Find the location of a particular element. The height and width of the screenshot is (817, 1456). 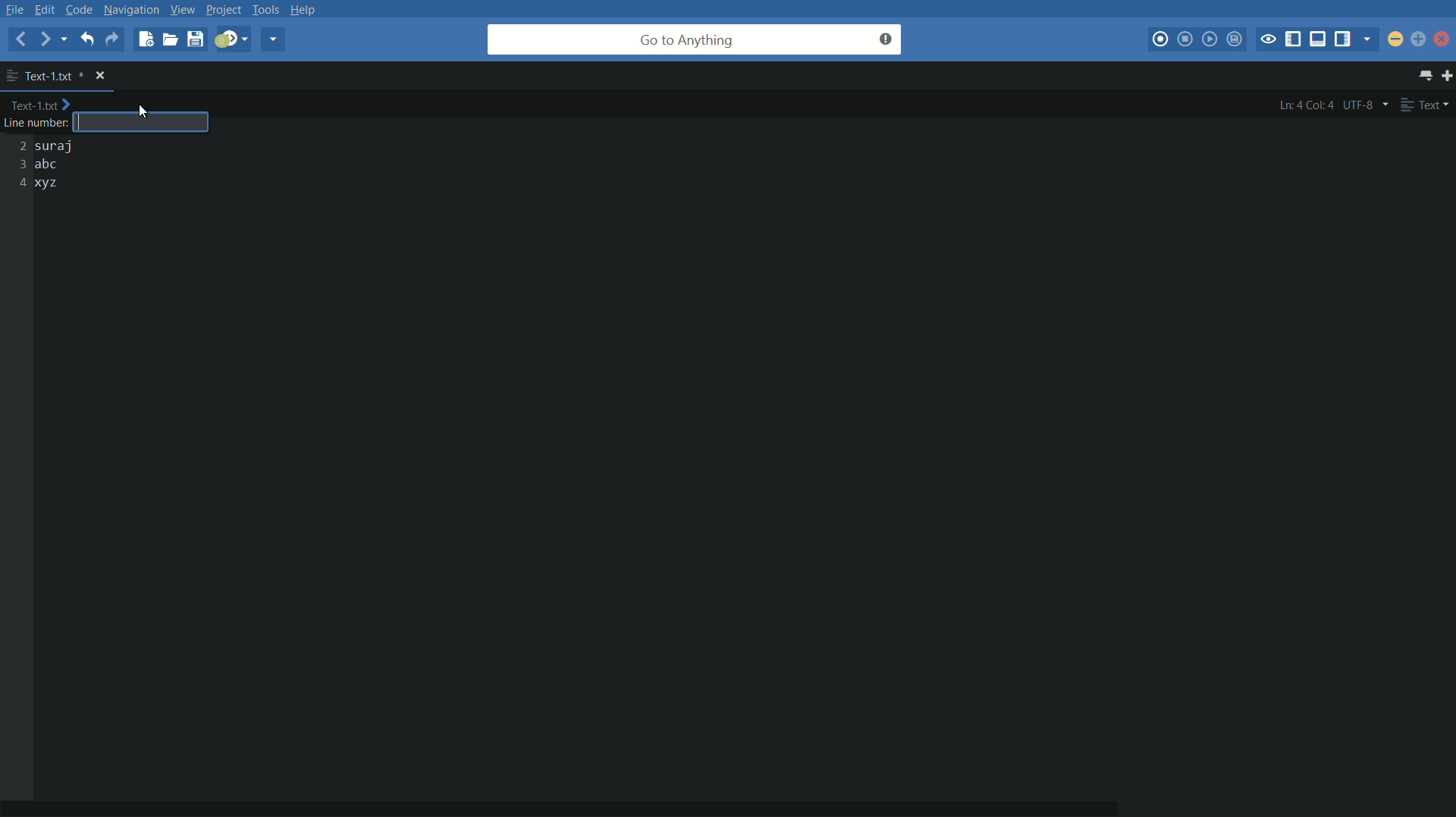

save file is located at coordinates (195, 40).